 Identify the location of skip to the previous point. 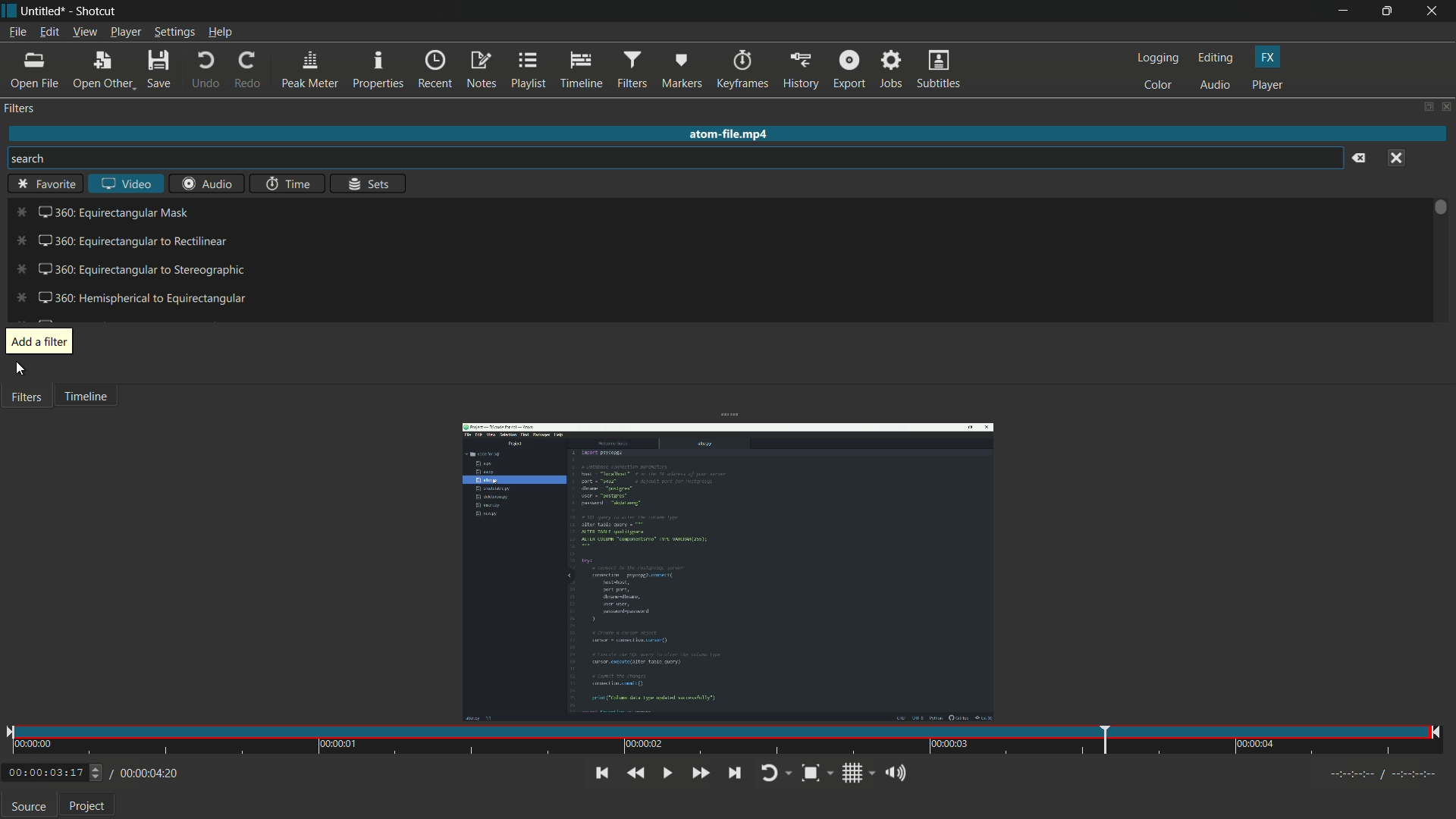
(602, 773).